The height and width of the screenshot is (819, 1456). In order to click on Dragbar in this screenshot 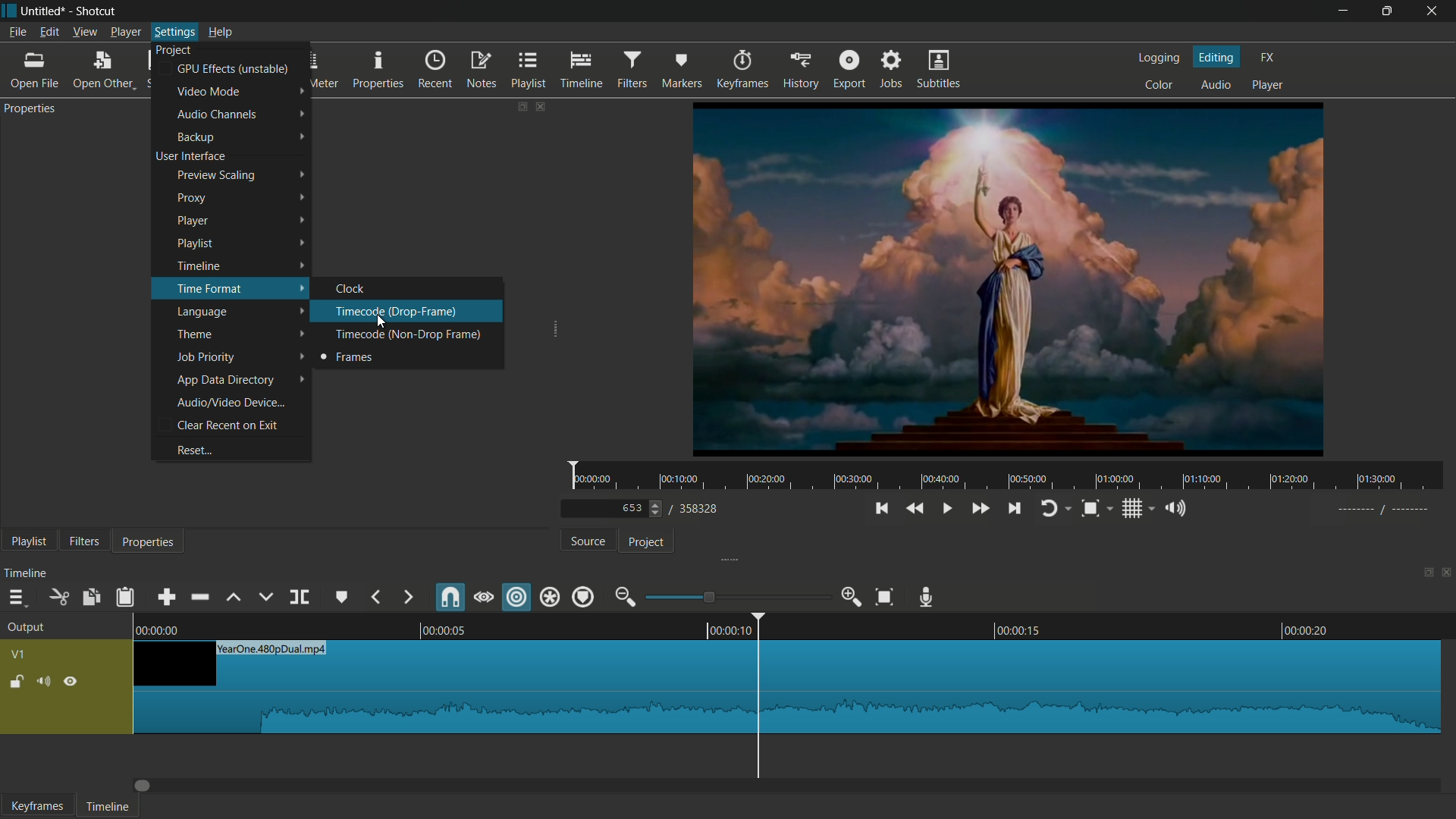, I will do `click(784, 789)`.